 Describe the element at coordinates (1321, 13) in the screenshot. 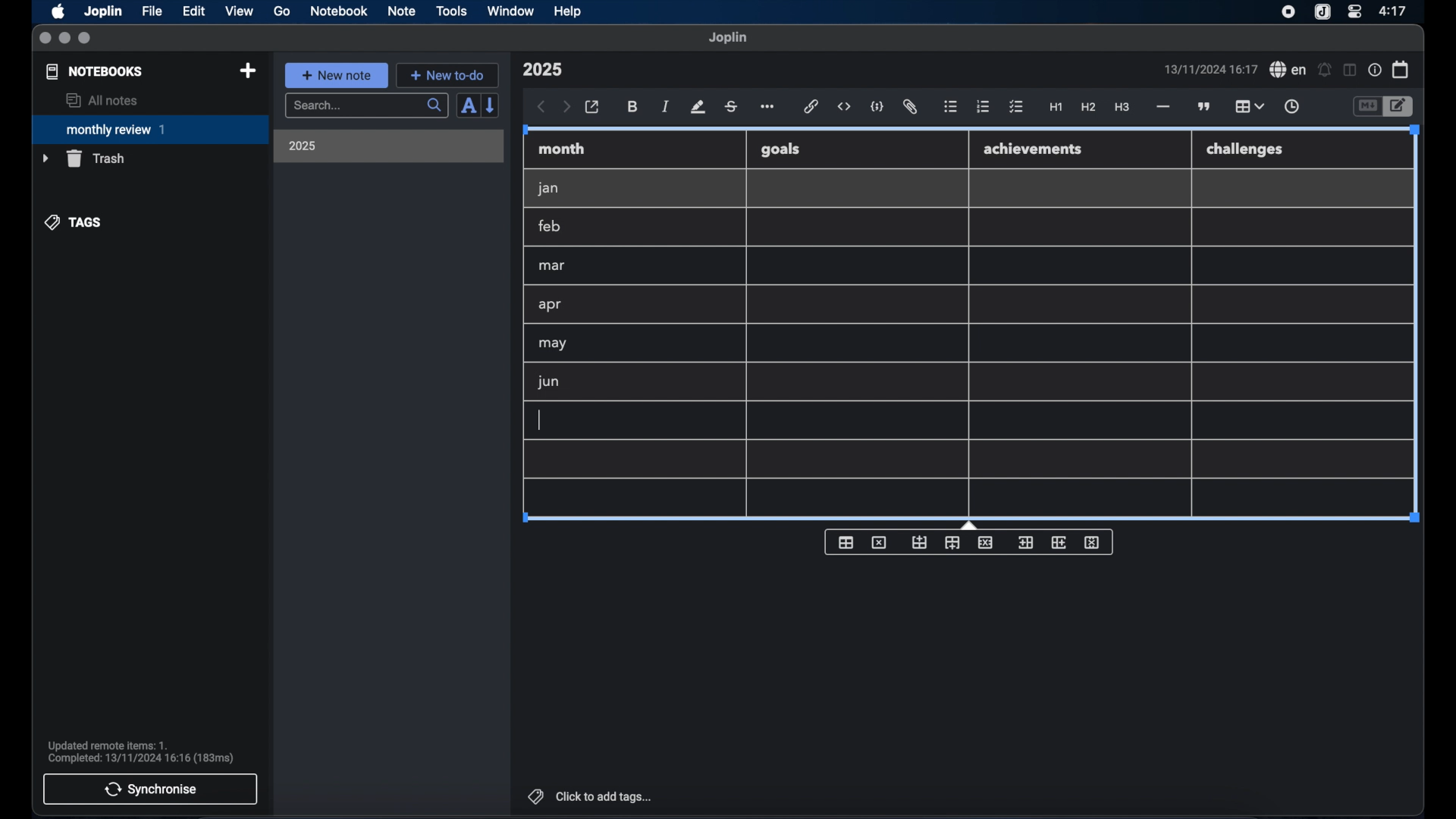

I see `joplin icon` at that location.